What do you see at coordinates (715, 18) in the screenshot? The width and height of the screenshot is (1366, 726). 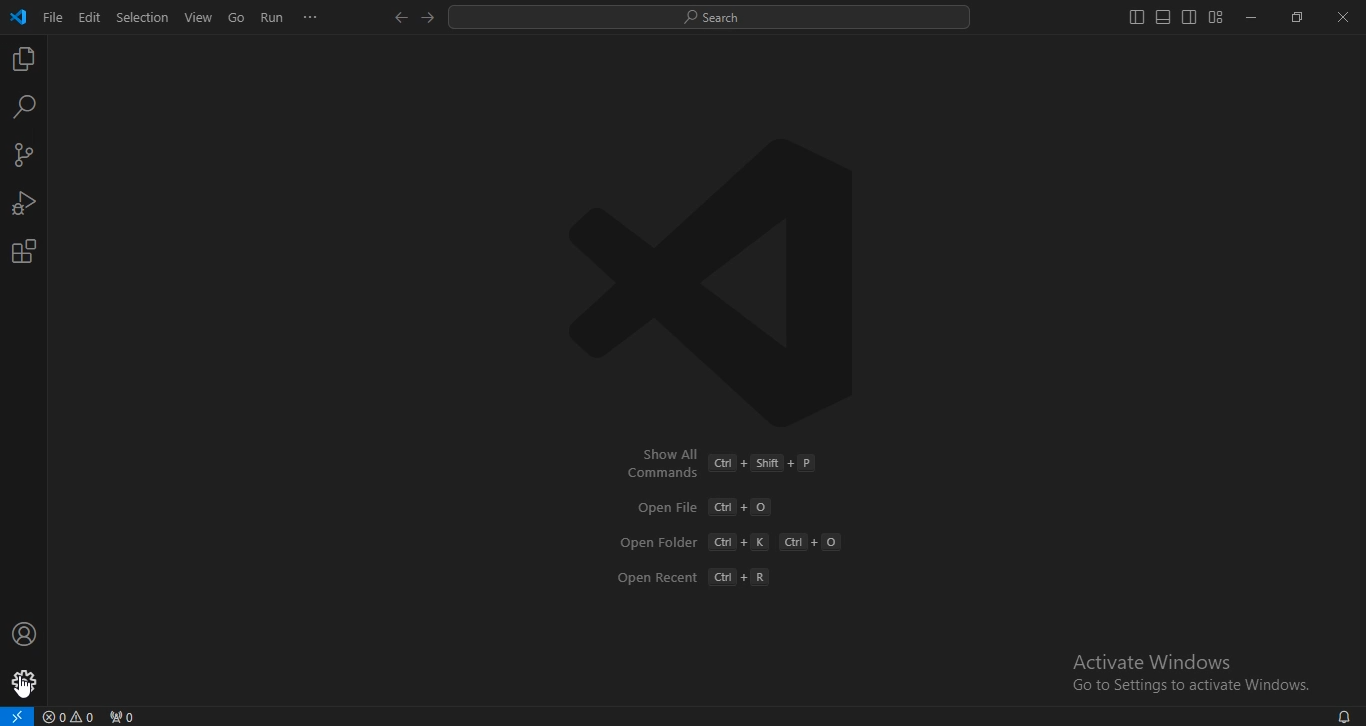 I see `search desktop` at bounding box center [715, 18].